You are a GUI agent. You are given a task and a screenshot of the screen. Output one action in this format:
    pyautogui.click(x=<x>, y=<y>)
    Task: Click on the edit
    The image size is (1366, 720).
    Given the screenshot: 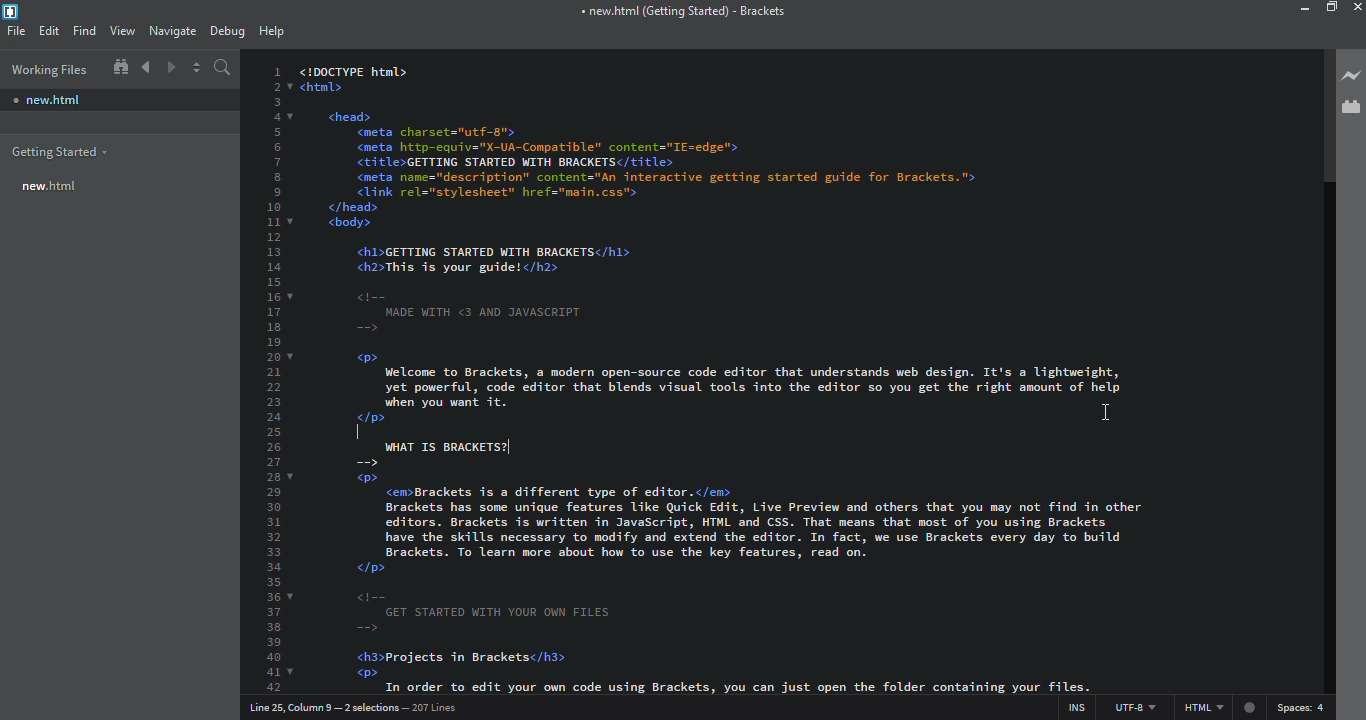 What is the action you would take?
    pyautogui.click(x=49, y=30)
    